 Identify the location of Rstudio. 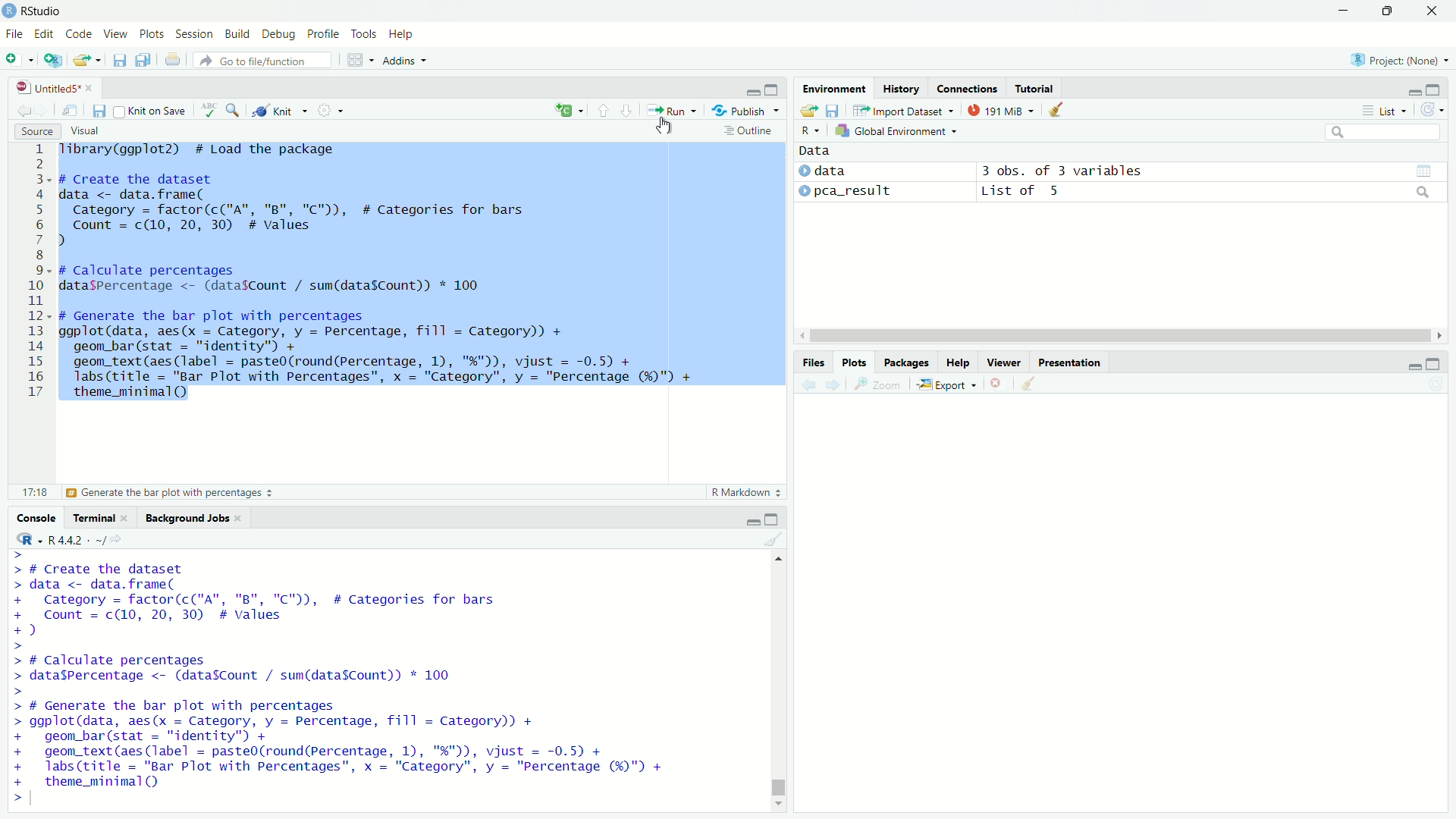
(42, 11).